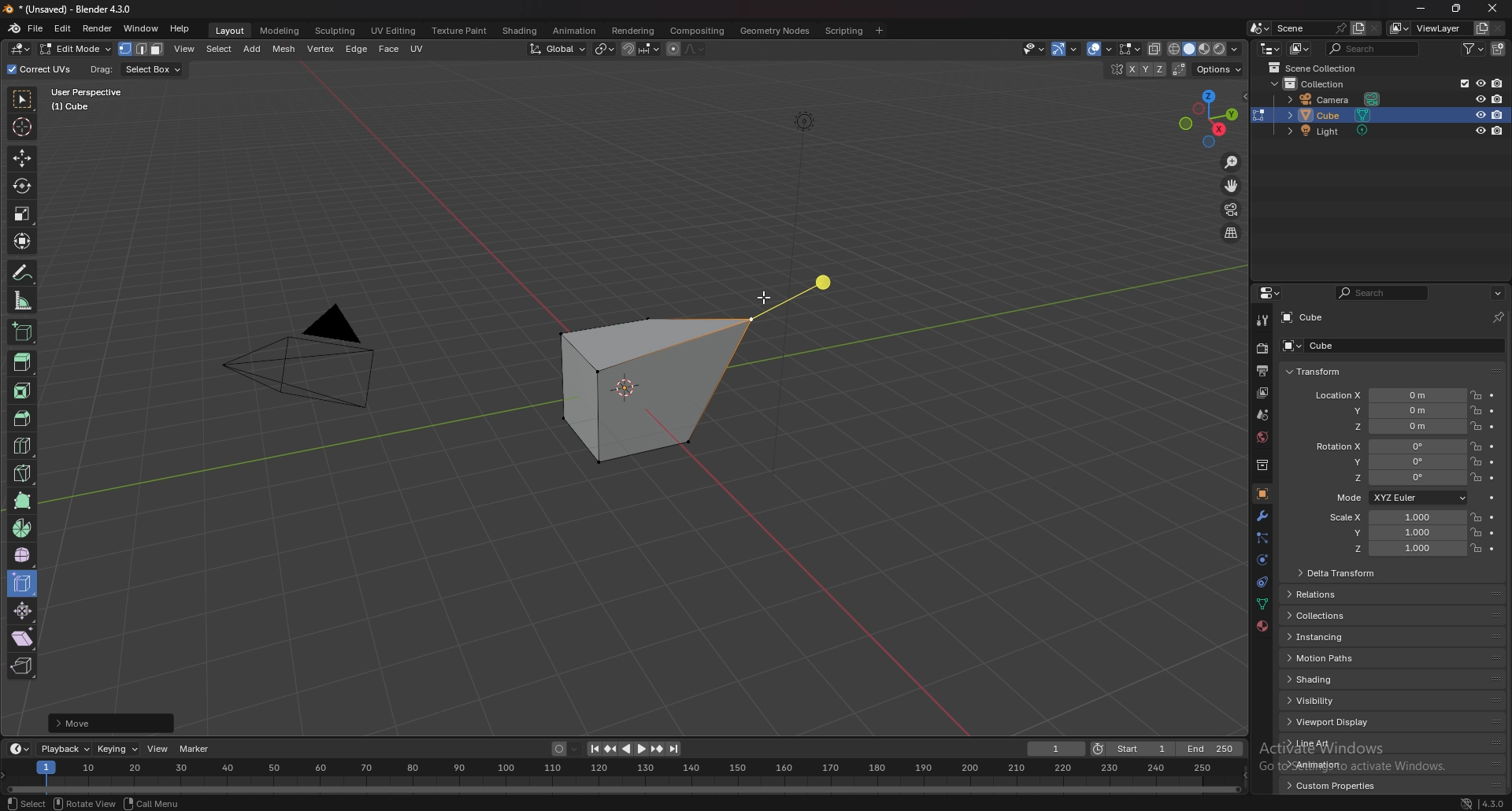 This screenshot has height=811, width=1512. What do you see at coordinates (1399, 427) in the screenshot?
I see `location z` at bounding box center [1399, 427].